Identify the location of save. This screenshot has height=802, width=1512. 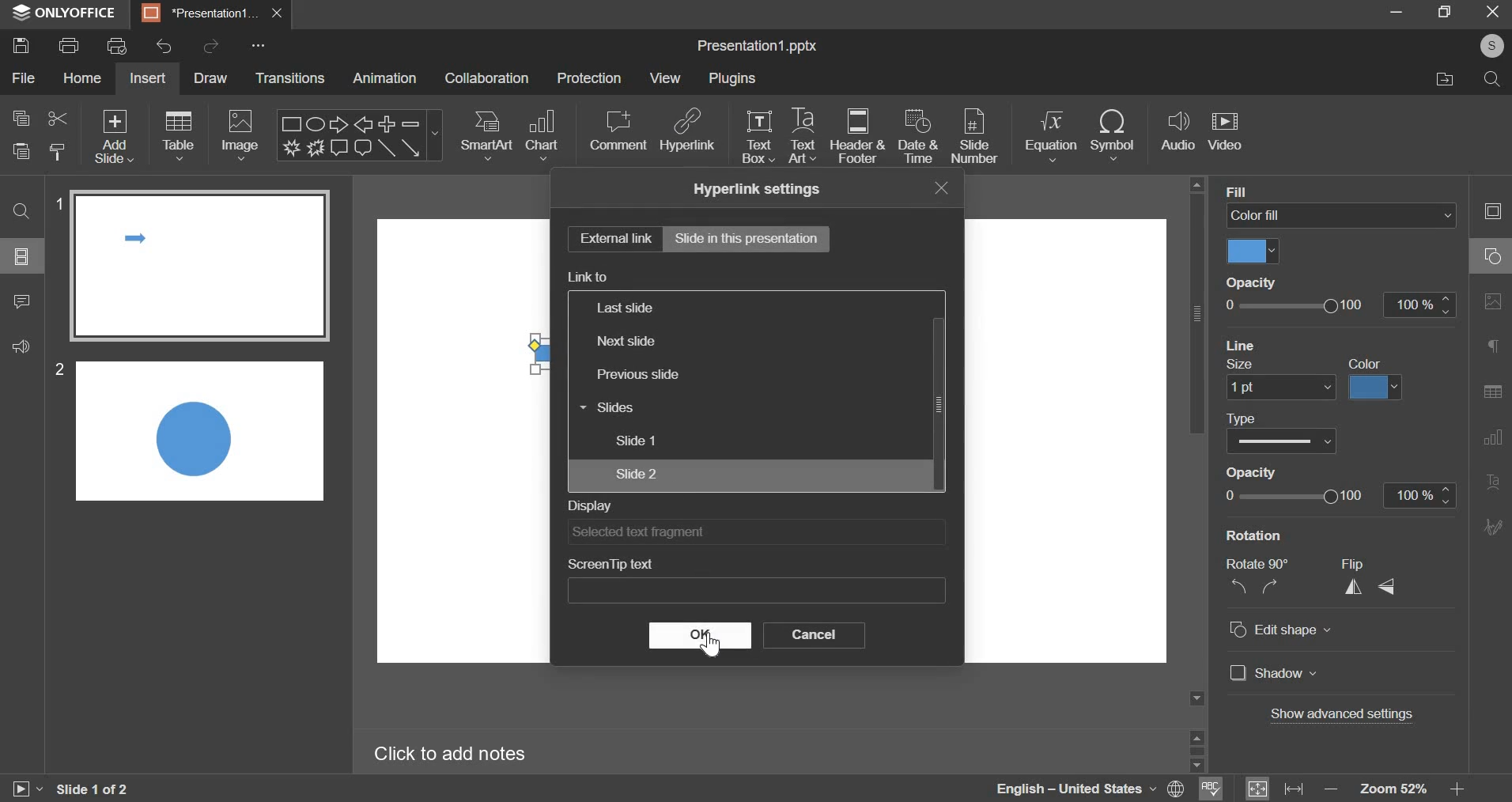
(22, 46).